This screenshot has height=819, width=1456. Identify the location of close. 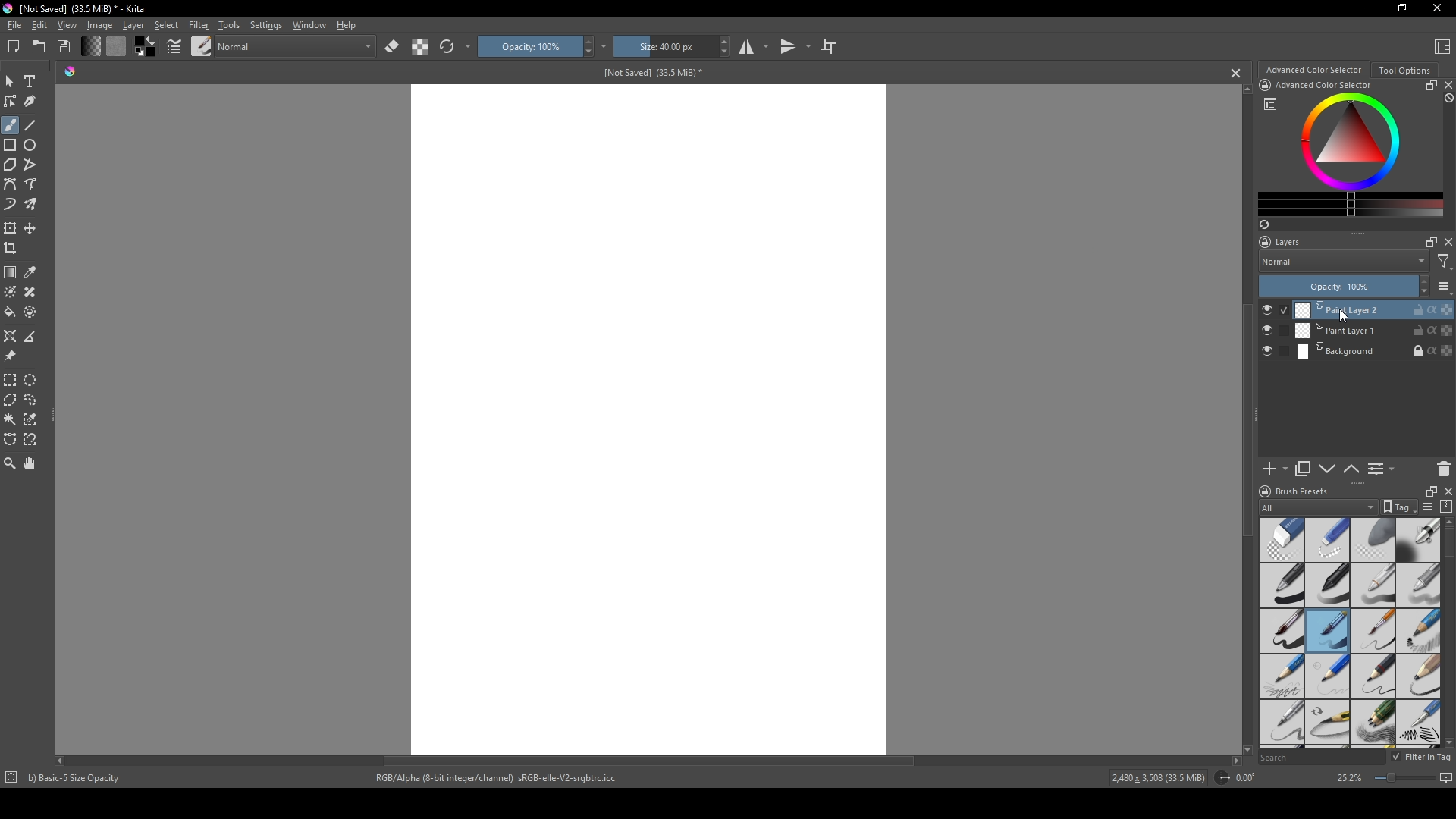
(1447, 85).